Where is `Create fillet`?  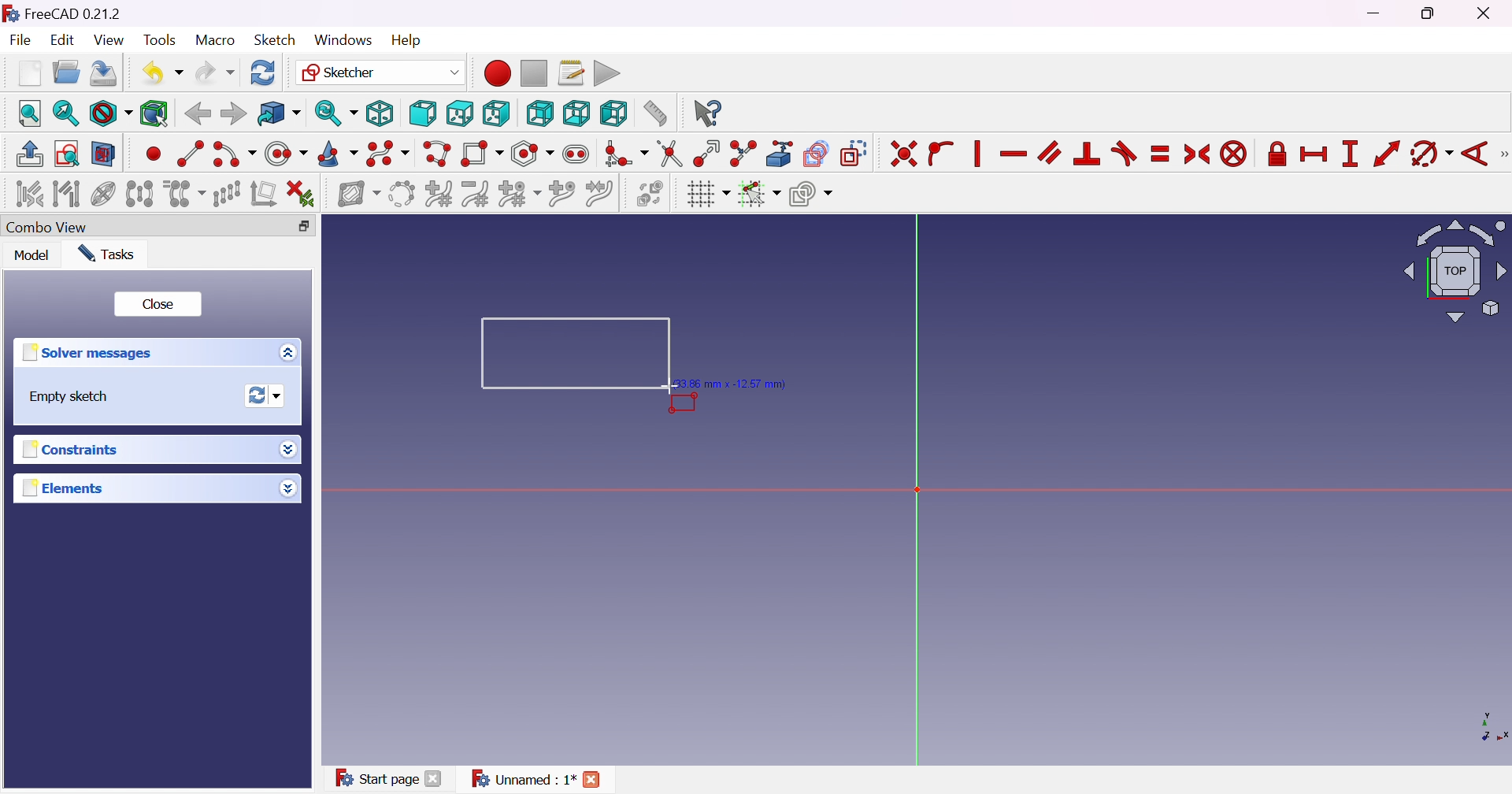 Create fillet is located at coordinates (626, 155).